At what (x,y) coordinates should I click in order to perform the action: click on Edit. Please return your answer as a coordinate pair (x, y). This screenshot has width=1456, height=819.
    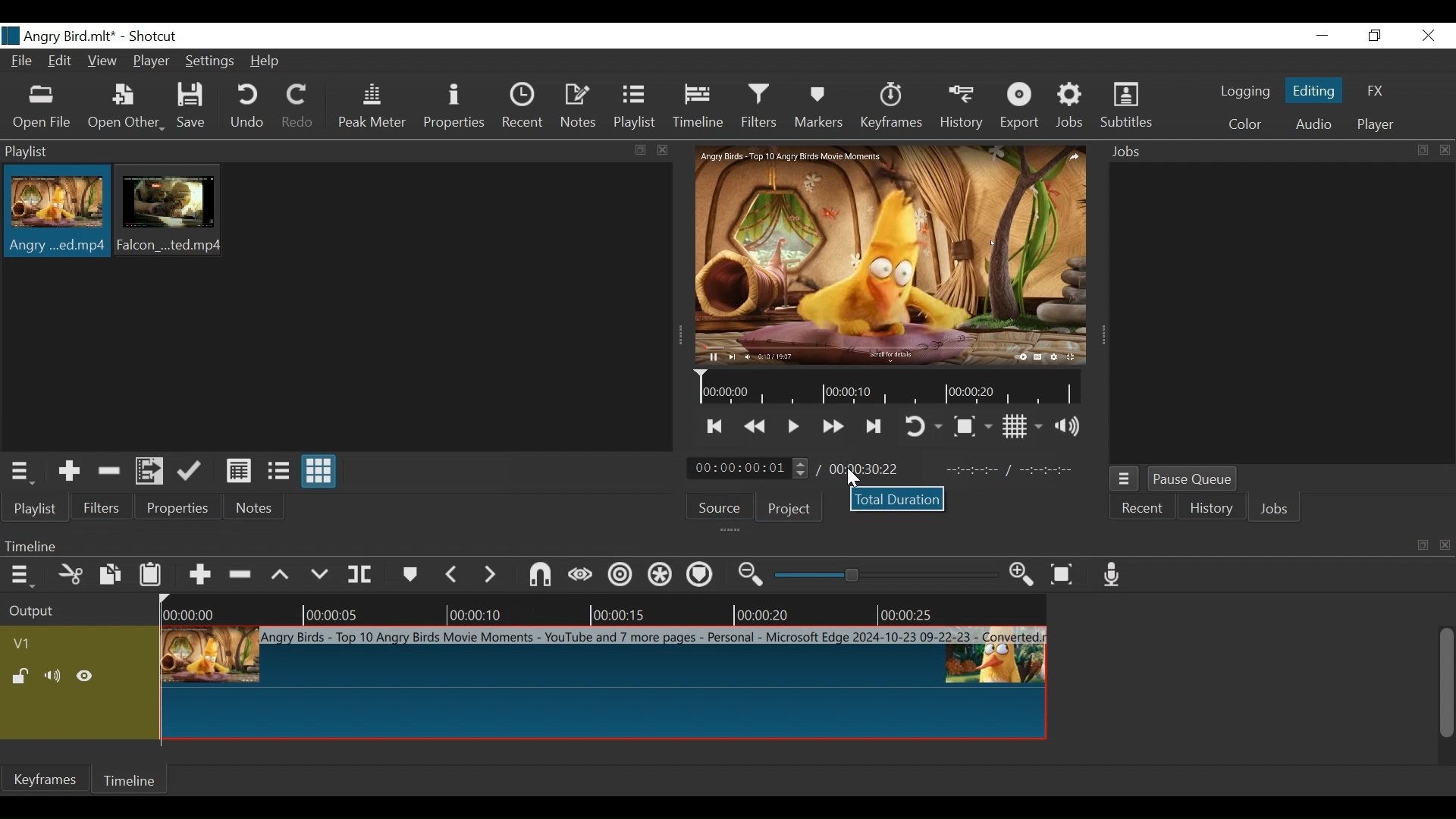
    Looking at the image, I should click on (62, 62).